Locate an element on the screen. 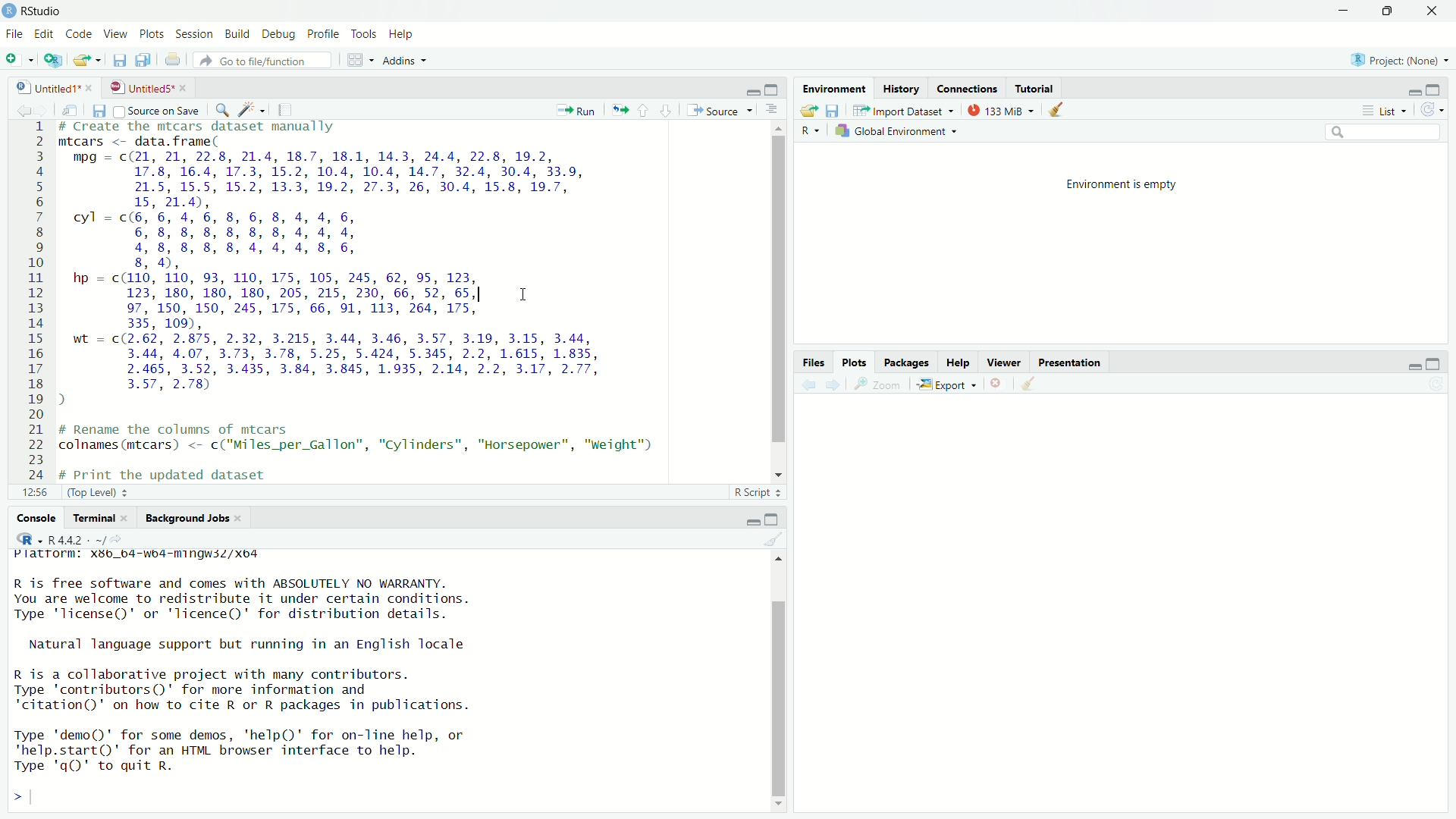 The width and height of the screenshot is (1456, 819). copy is located at coordinates (144, 60).